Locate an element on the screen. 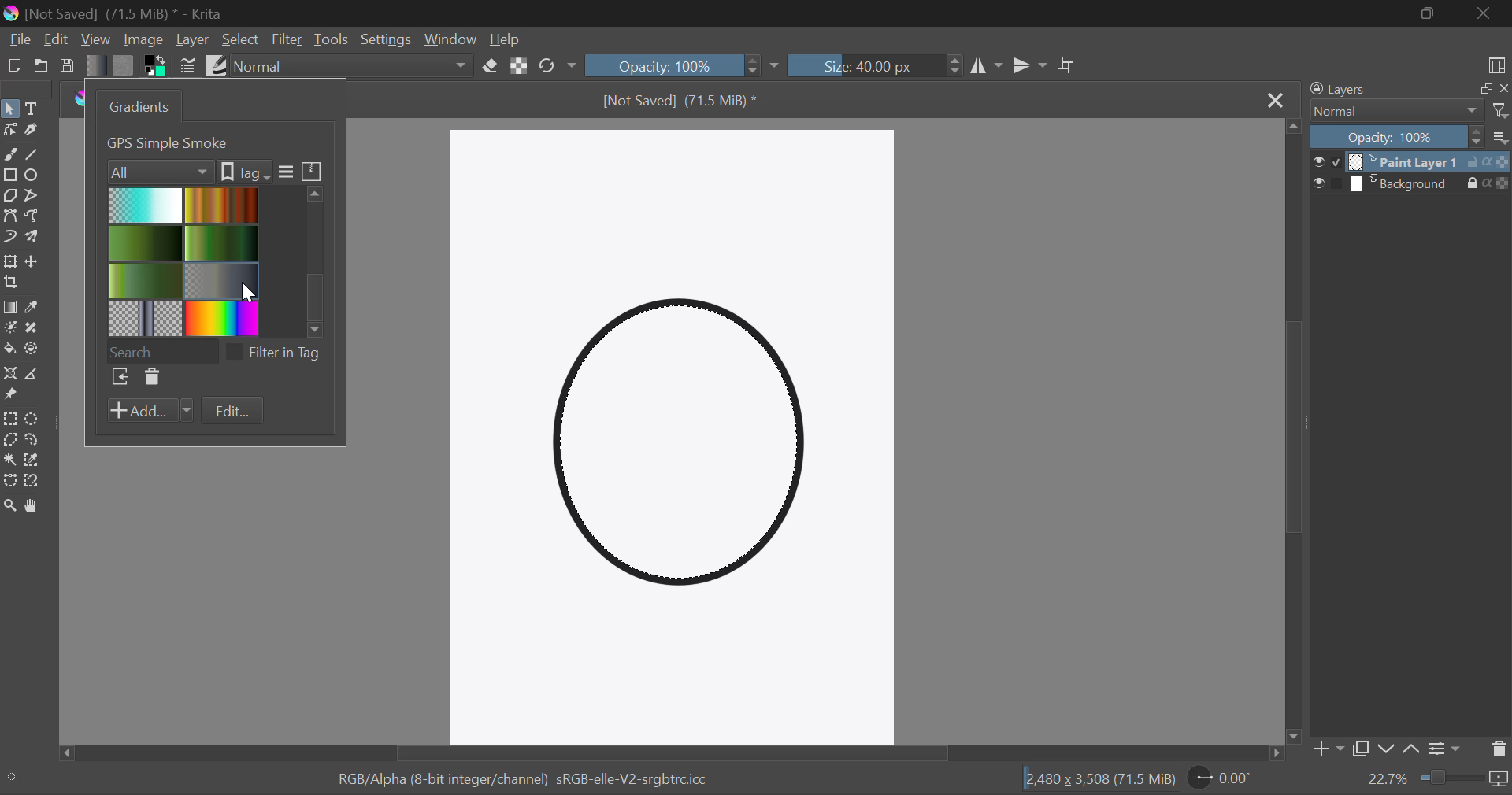 The height and width of the screenshot is (795, 1512). 12,480 x 3,508 (71.5 MiB) is located at coordinates (1099, 779).